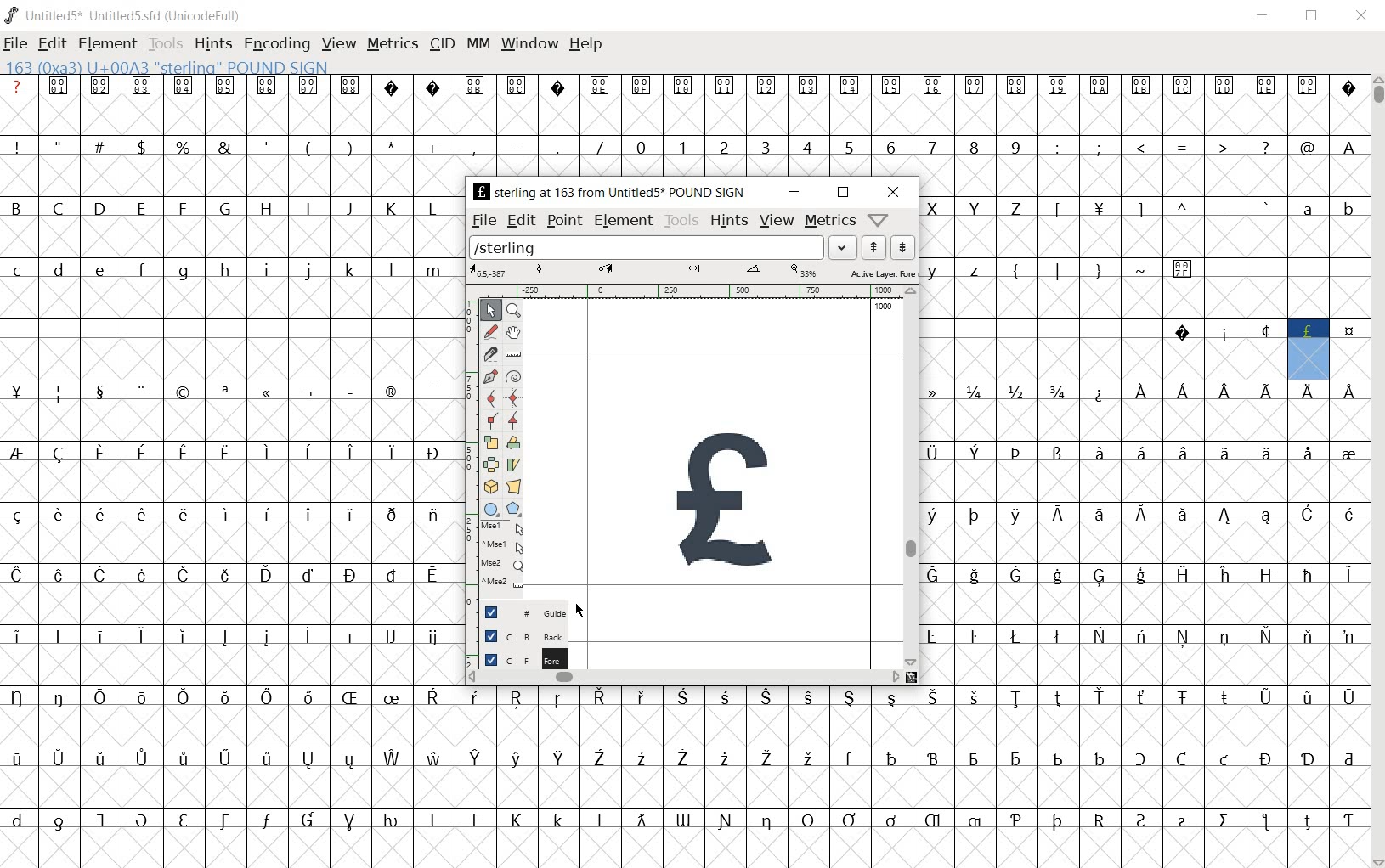  I want to click on Symbol, so click(1224, 576).